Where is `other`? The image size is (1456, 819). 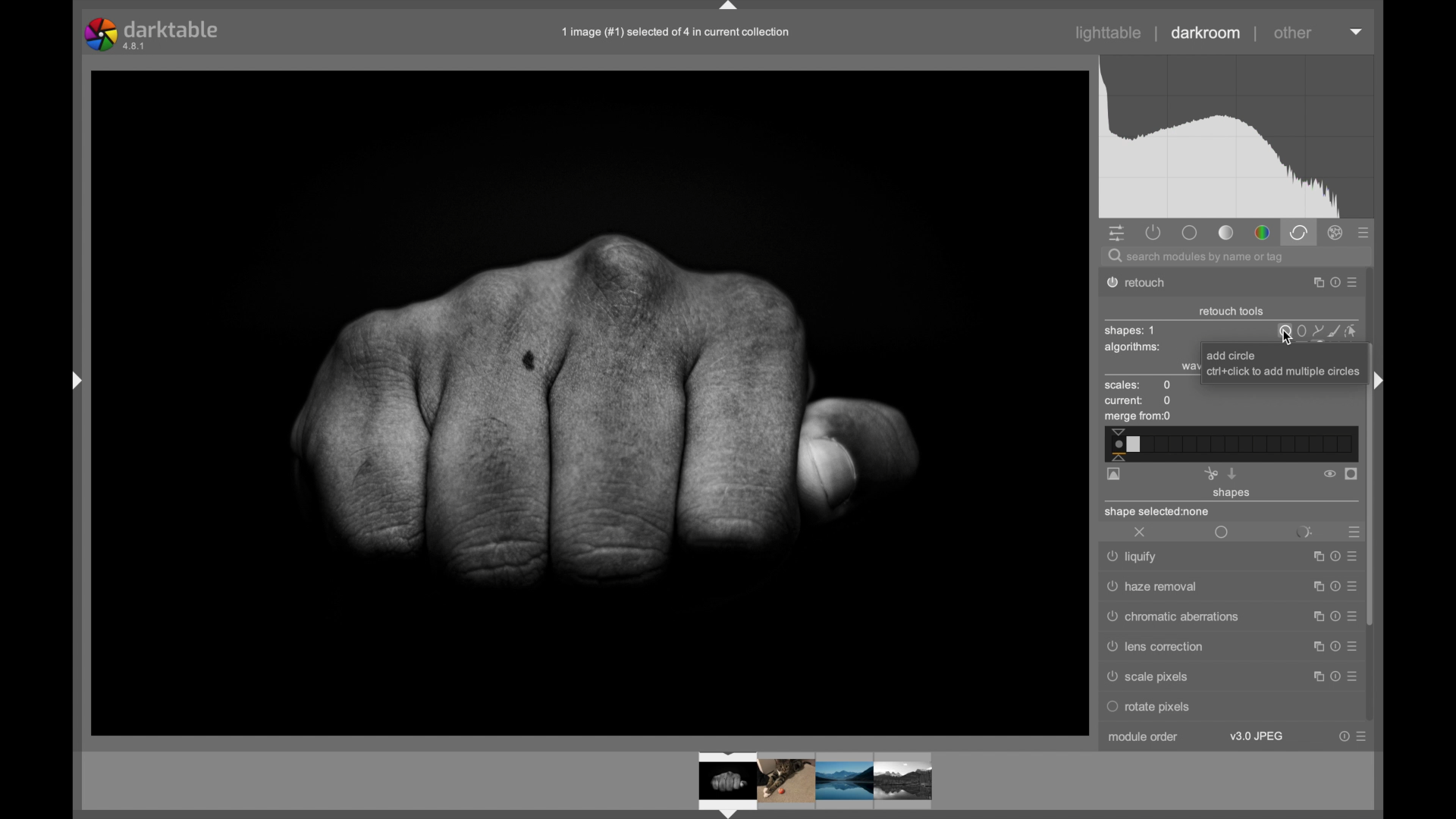 other is located at coordinates (1293, 33).